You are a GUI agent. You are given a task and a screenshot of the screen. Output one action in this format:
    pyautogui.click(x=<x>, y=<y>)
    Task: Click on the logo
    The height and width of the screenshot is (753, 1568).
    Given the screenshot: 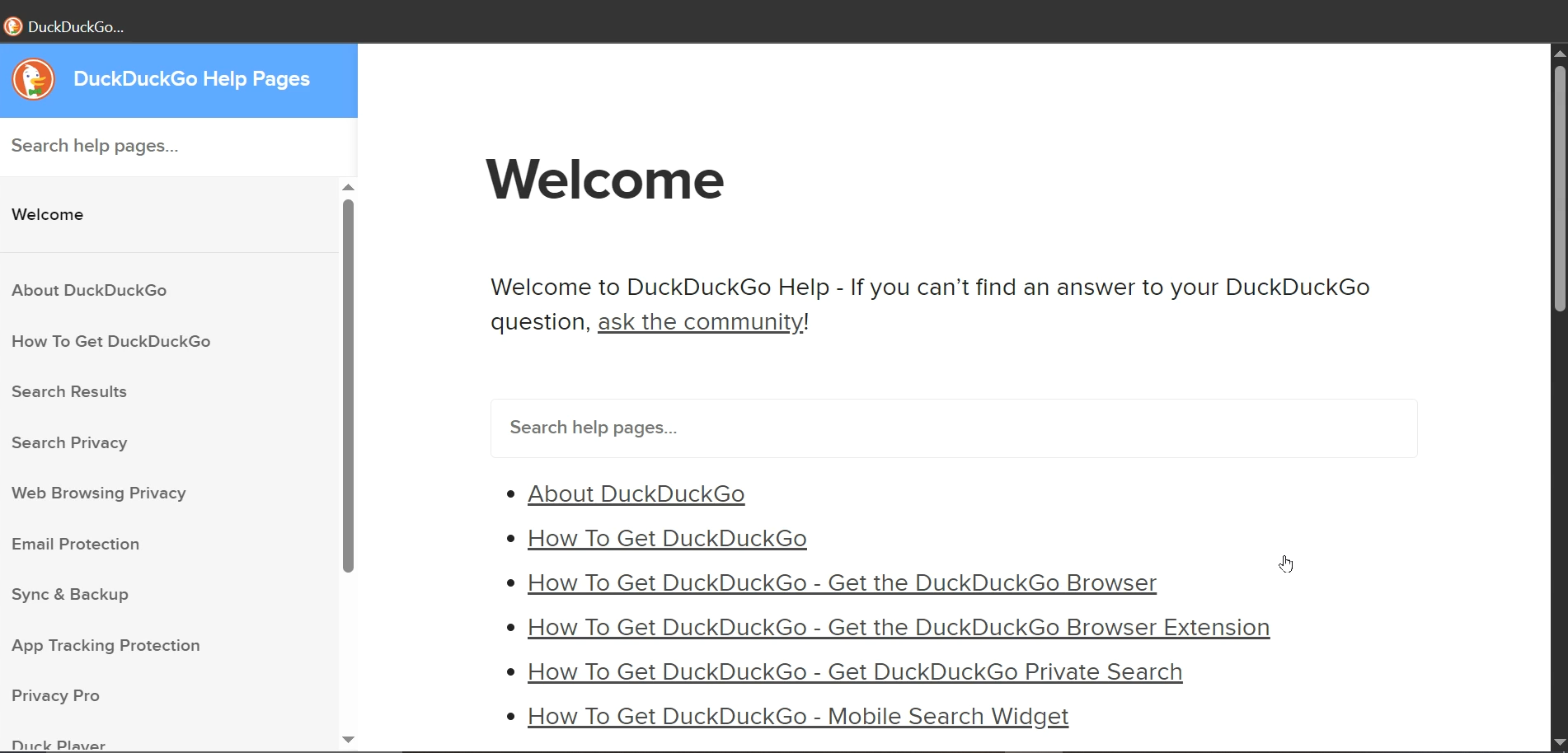 What is the action you would take?
    pyautogui.click(x=35, y=78)
    